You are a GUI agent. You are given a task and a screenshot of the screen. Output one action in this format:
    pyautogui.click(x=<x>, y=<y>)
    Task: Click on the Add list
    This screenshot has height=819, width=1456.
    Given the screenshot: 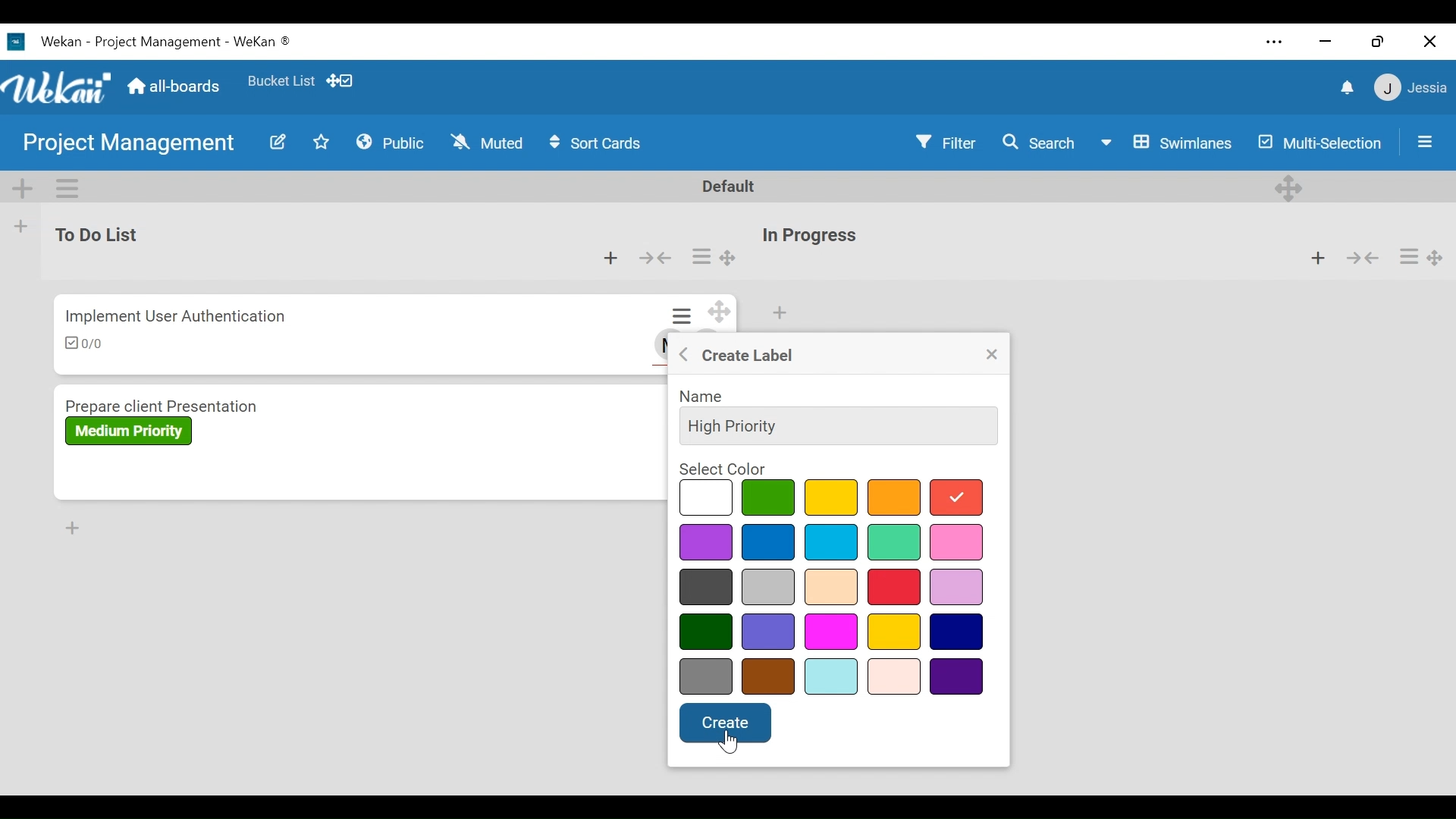 What is the action you would take?
    pyautogui.click(x=21, y=226)
    